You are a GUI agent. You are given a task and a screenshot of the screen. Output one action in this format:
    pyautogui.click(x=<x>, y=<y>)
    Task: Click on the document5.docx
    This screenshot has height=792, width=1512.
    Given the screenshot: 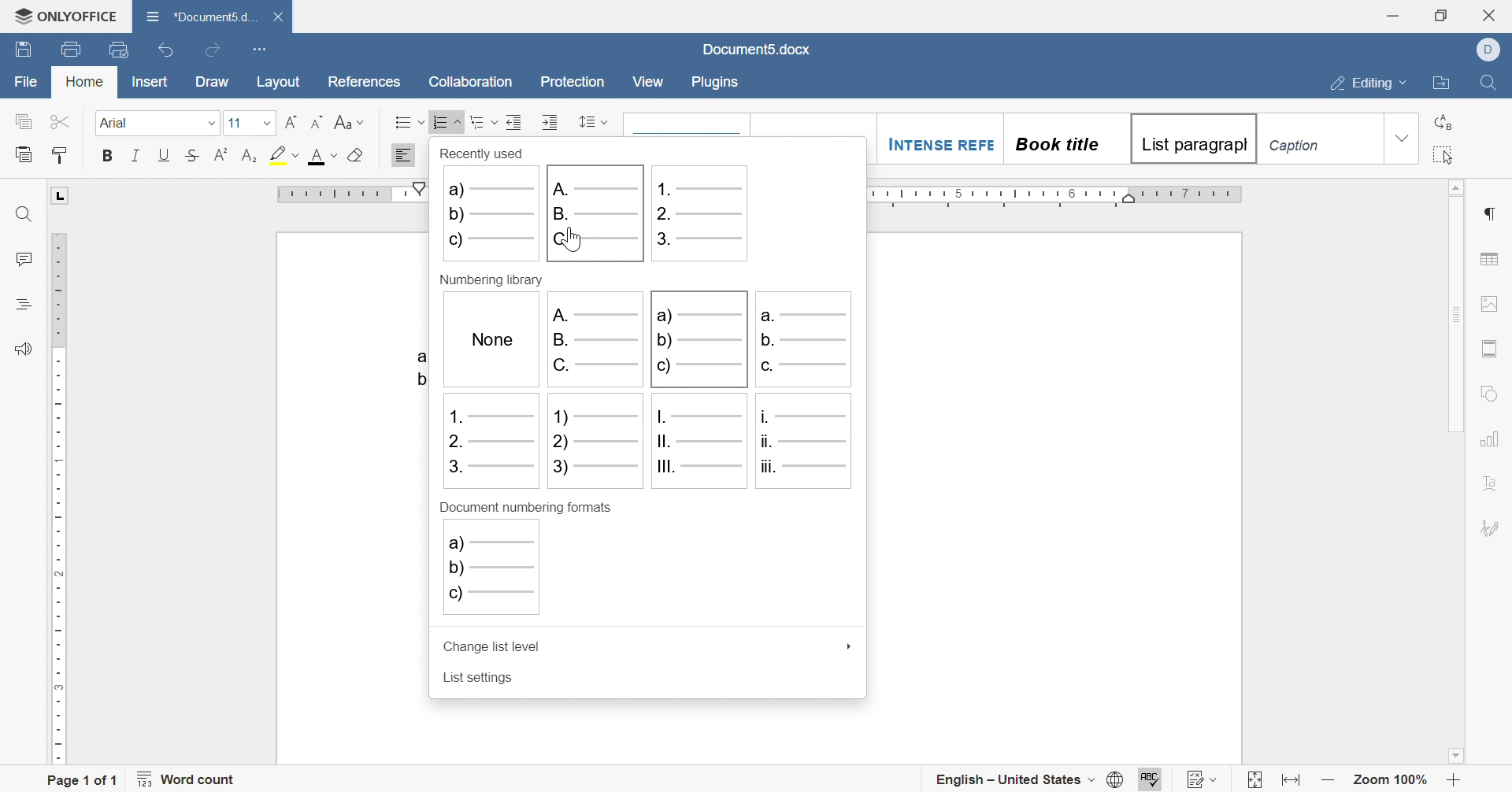 What is the action you would take?
    pyautogui.click(x=762, y=50)
    